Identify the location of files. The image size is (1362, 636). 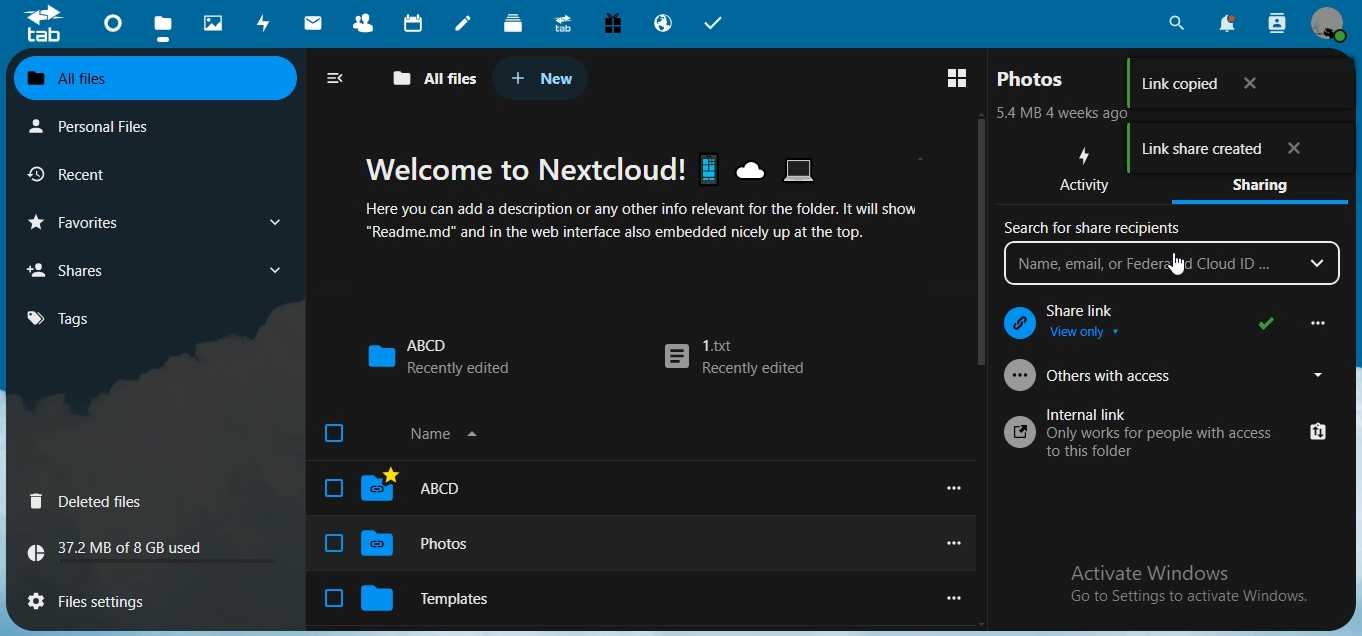
(163, 30).